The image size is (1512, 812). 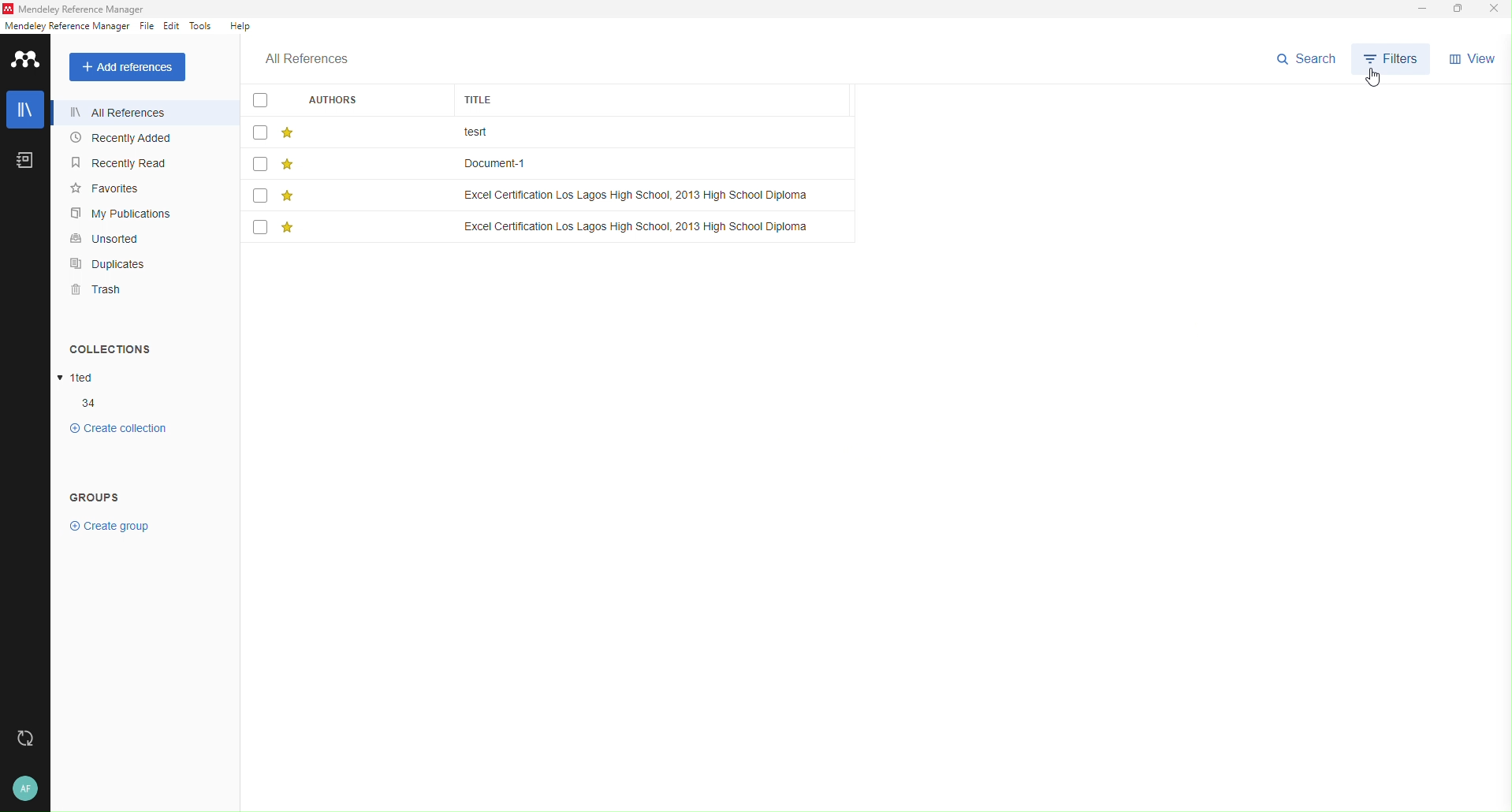 I want to click on Library, so click(x=24, y=109).